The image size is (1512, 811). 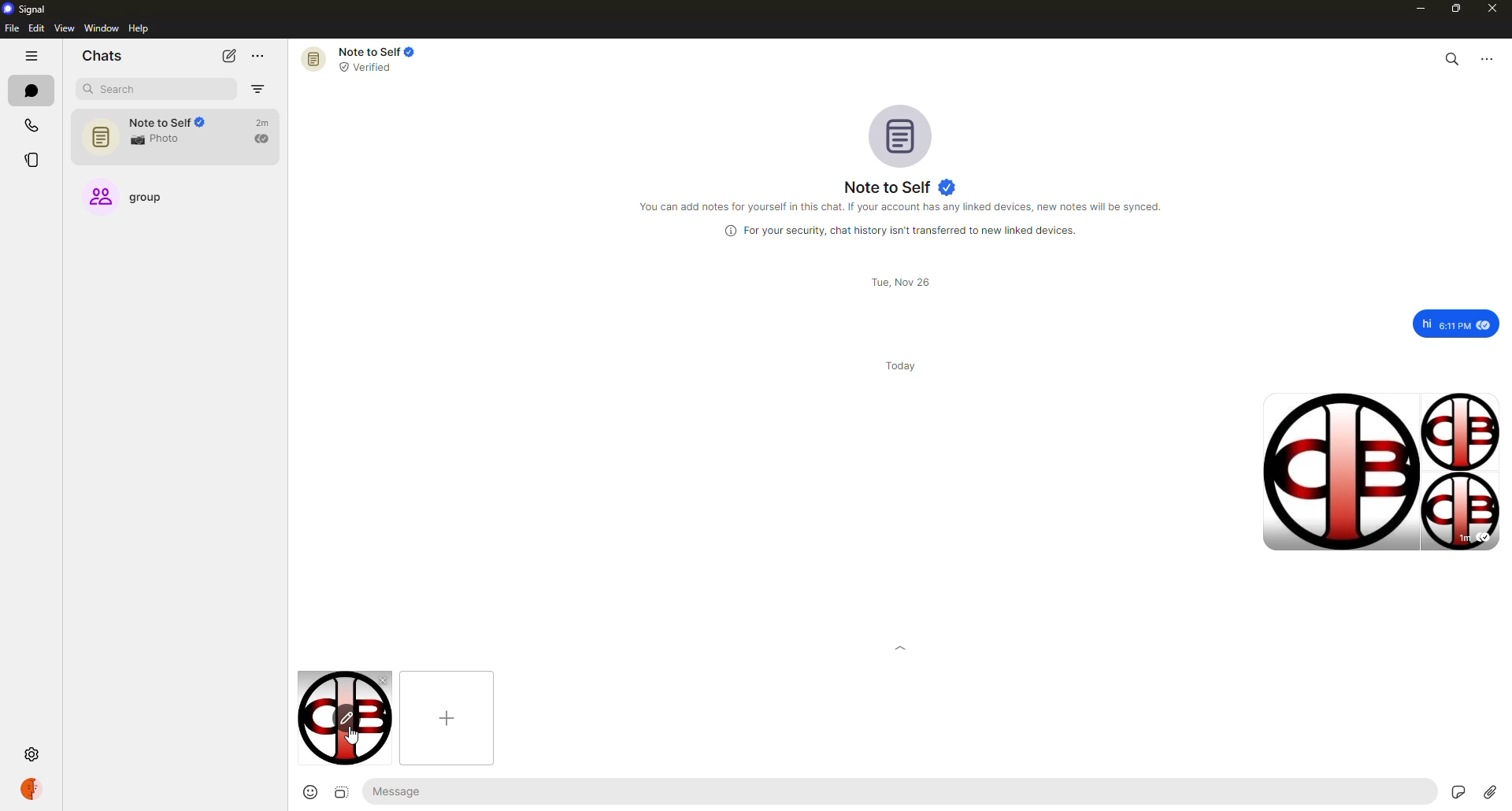 What do you see at coordinates (898, 282) in the screenshot?
I see `date` at bounding box center [898, 282].